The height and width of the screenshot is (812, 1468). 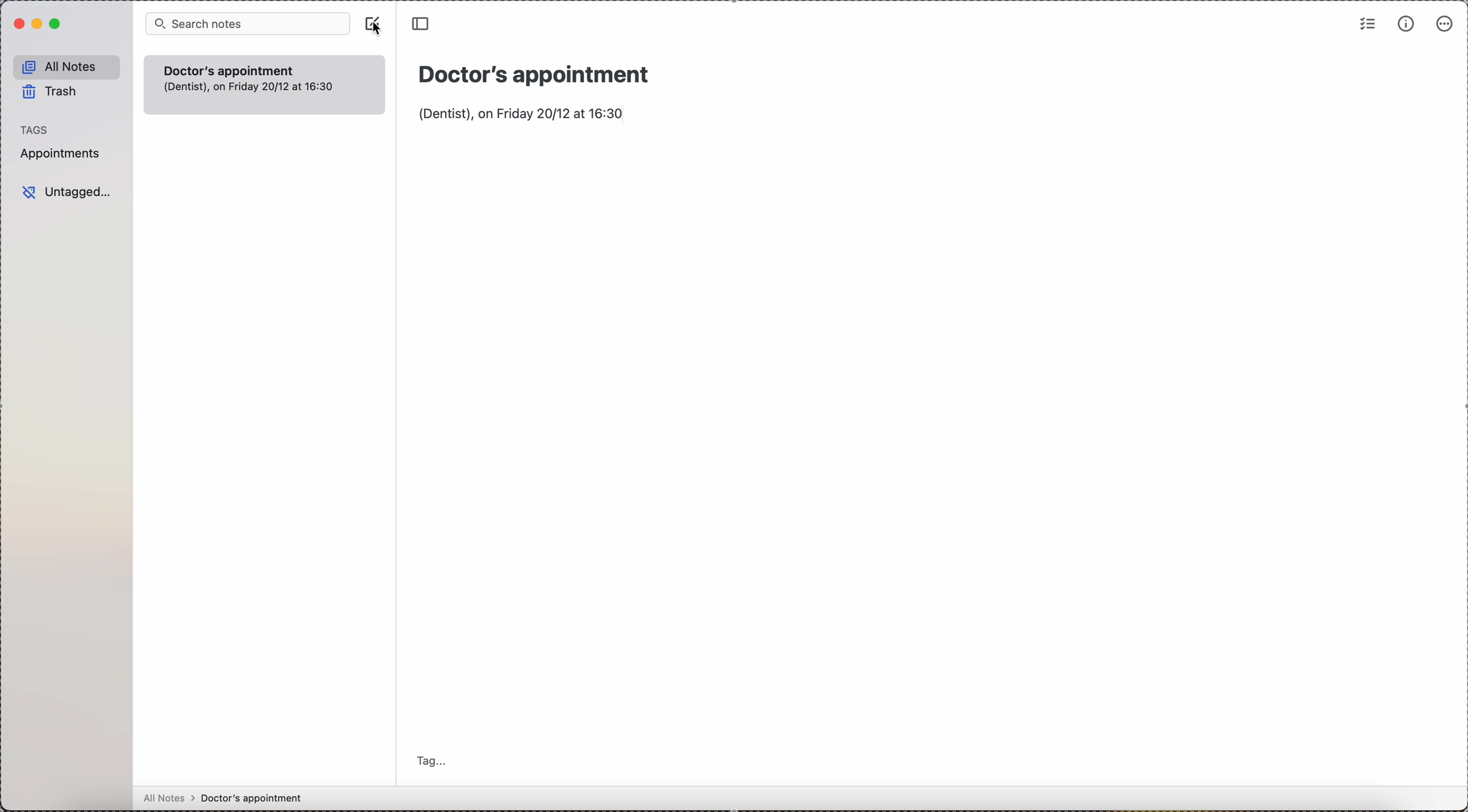 What do you see at coordinates (64, 191) in the screenshot?
I see `untagged` at bounding box center [64, 191].